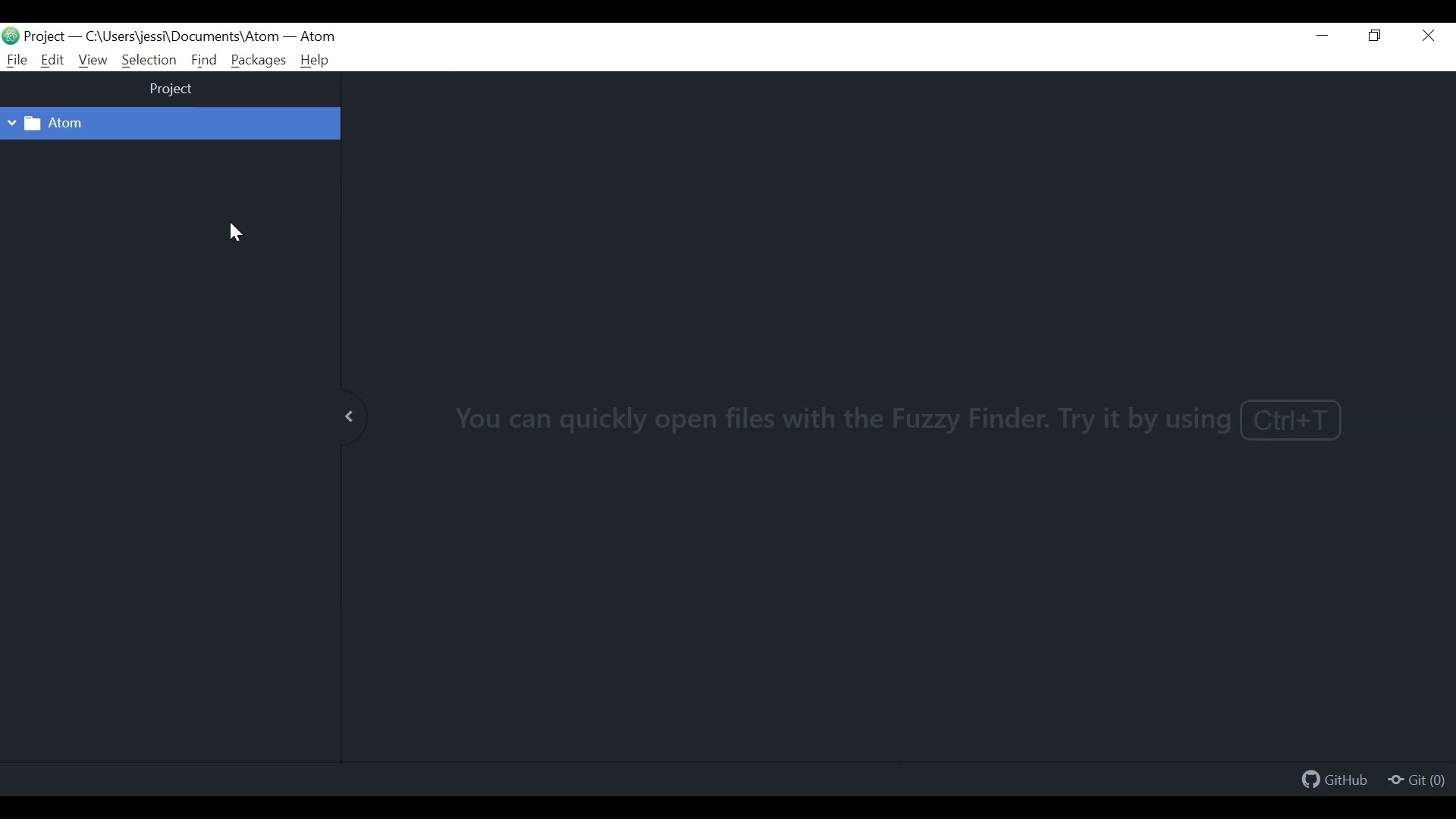 The height and width of the screenshot is (819, 1456). What do you see at coordinates (352, 415) in the screenshot?
I see `expand` at bounding box center [352, 415].